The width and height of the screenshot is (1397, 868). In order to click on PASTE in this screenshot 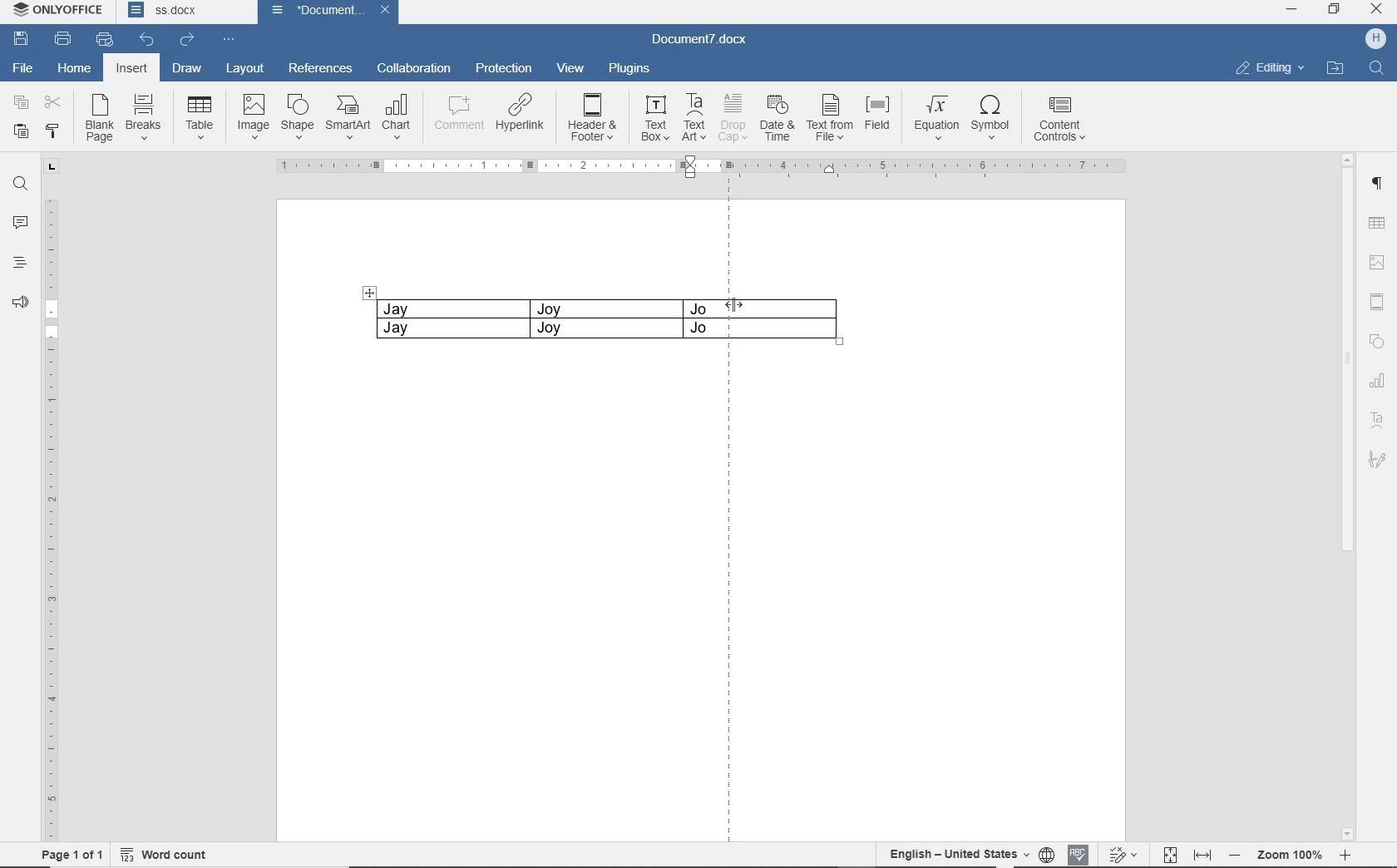, I will do `click(21, 133)`.